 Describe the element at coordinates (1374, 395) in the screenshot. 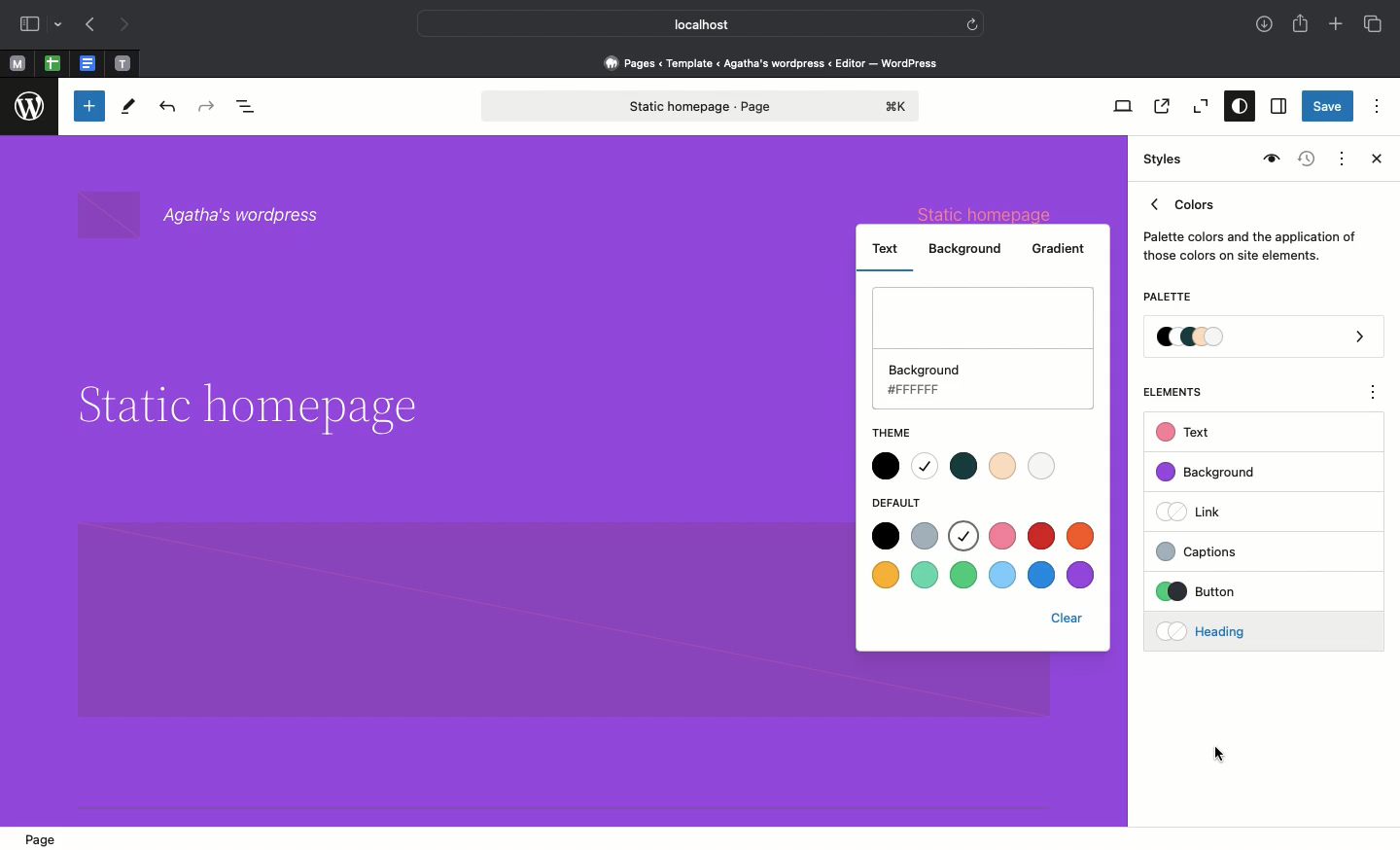

I see `options` at that location.